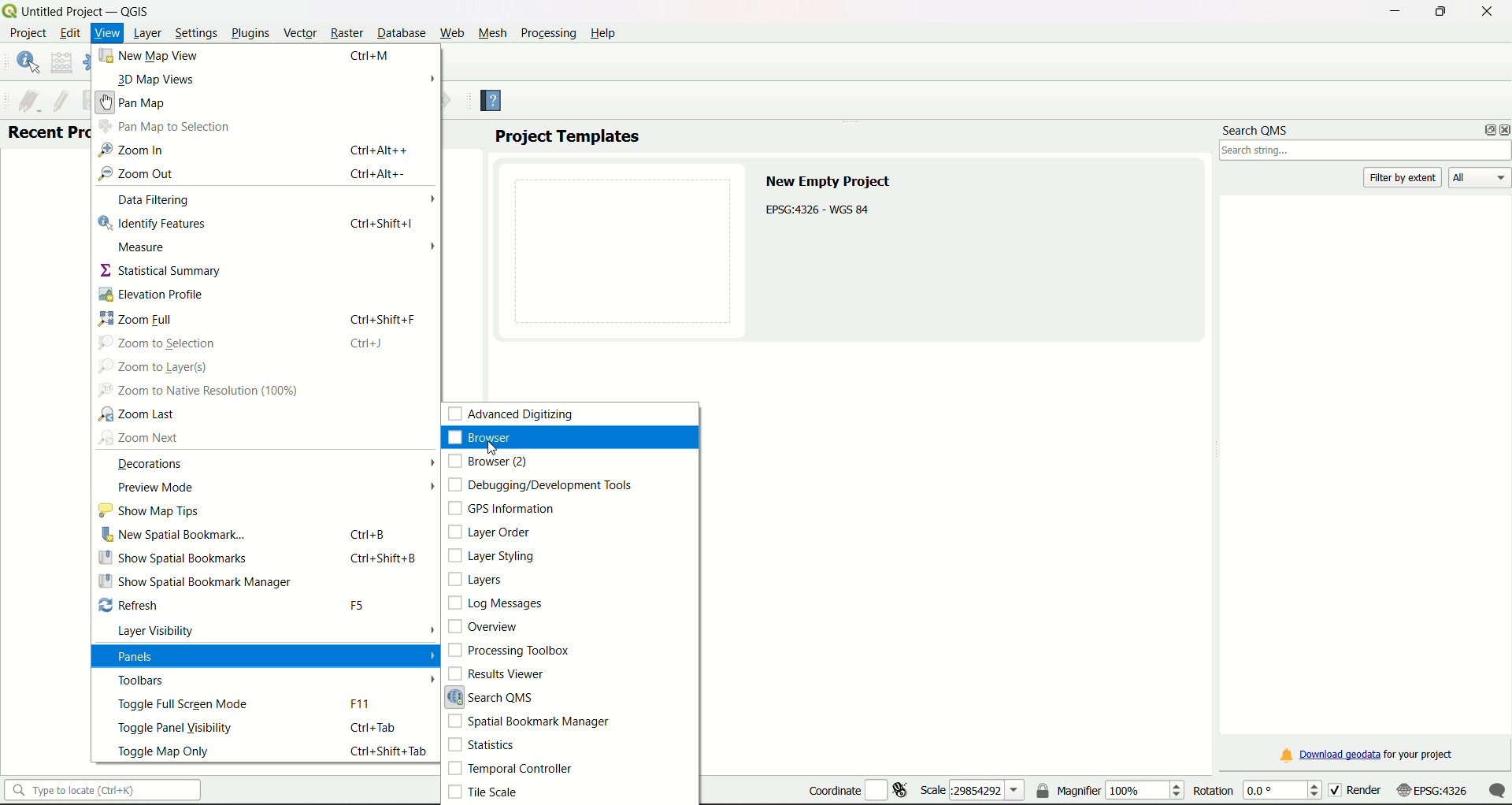  What do you see at coordinates (1440, 12) in the screenshot?
I see `minimize/maximize` at bounding box center [1440, 12].